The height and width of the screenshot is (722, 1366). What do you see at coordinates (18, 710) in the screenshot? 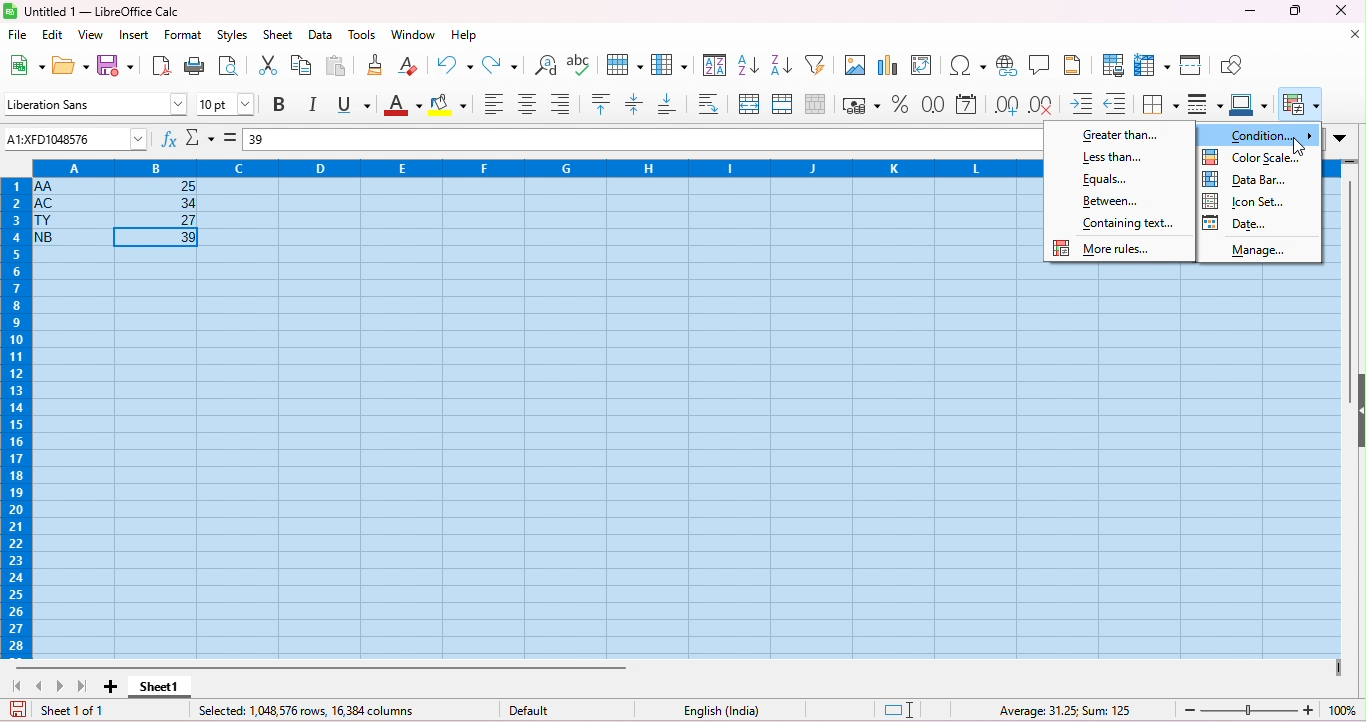
I see `save` at bounding box center [18, 710].